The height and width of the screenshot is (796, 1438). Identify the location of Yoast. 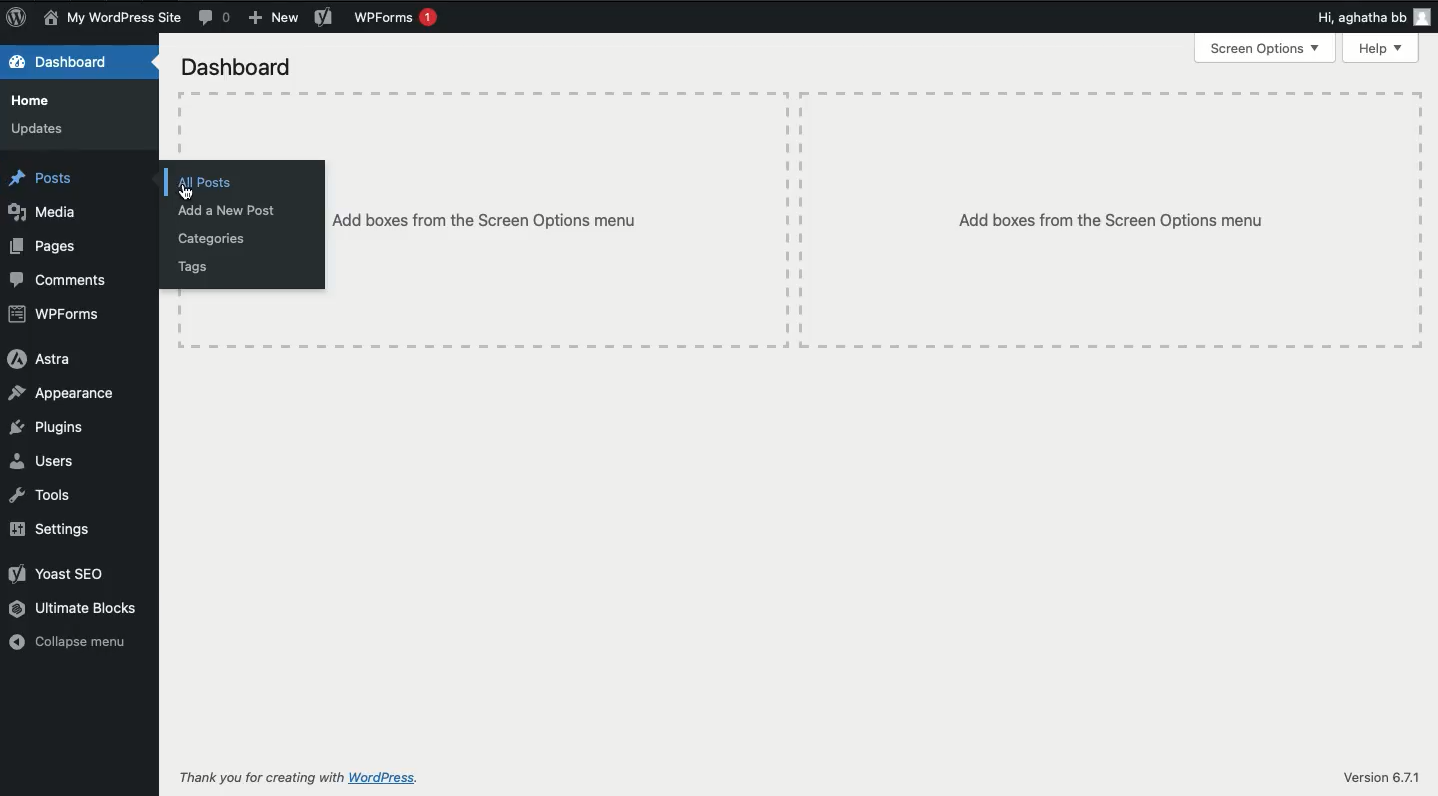
(323, 18).